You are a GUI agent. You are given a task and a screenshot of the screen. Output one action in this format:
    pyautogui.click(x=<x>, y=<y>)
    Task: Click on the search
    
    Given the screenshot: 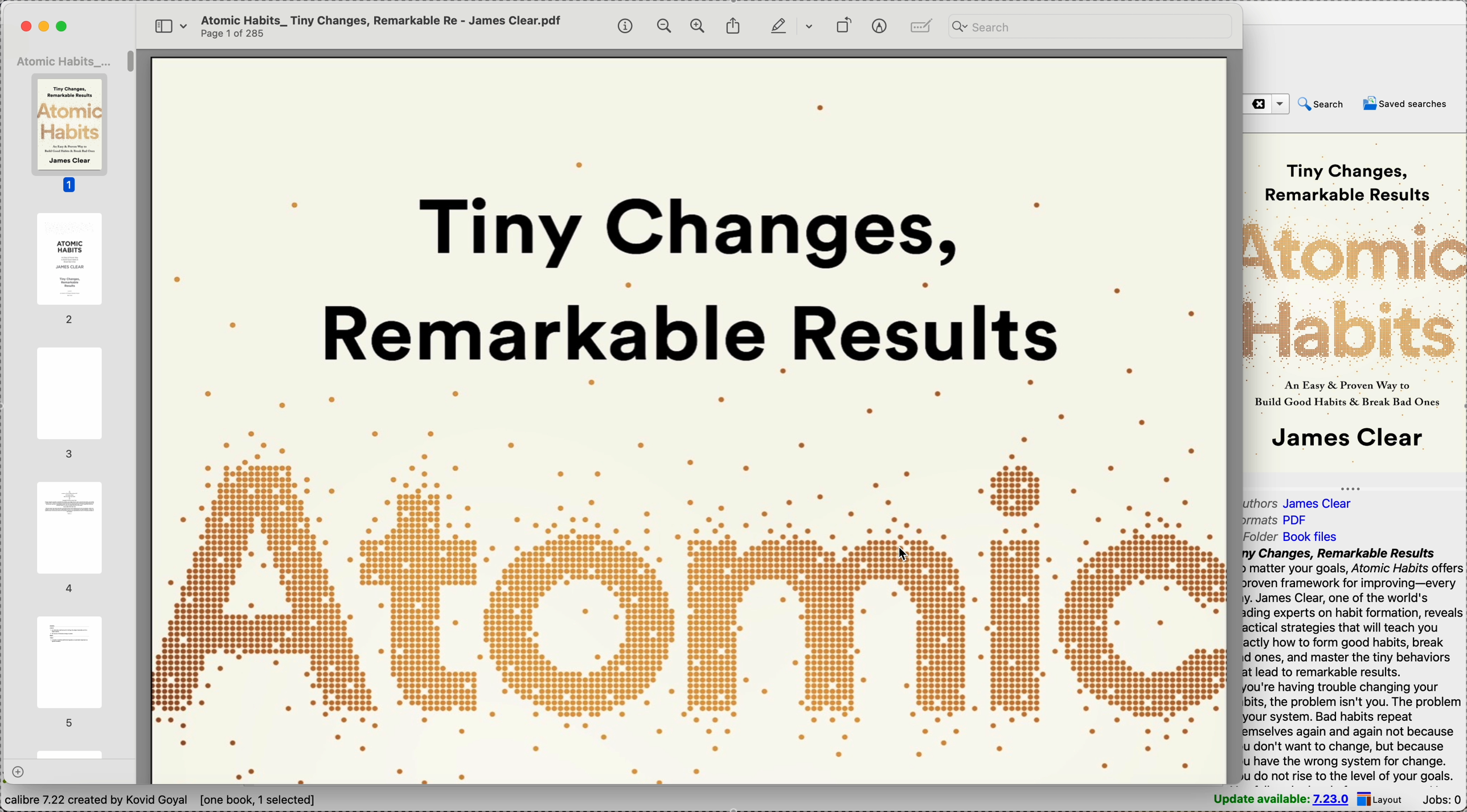 What is the action you would take?
    pyautogui.click(x=1321, y=104)
    